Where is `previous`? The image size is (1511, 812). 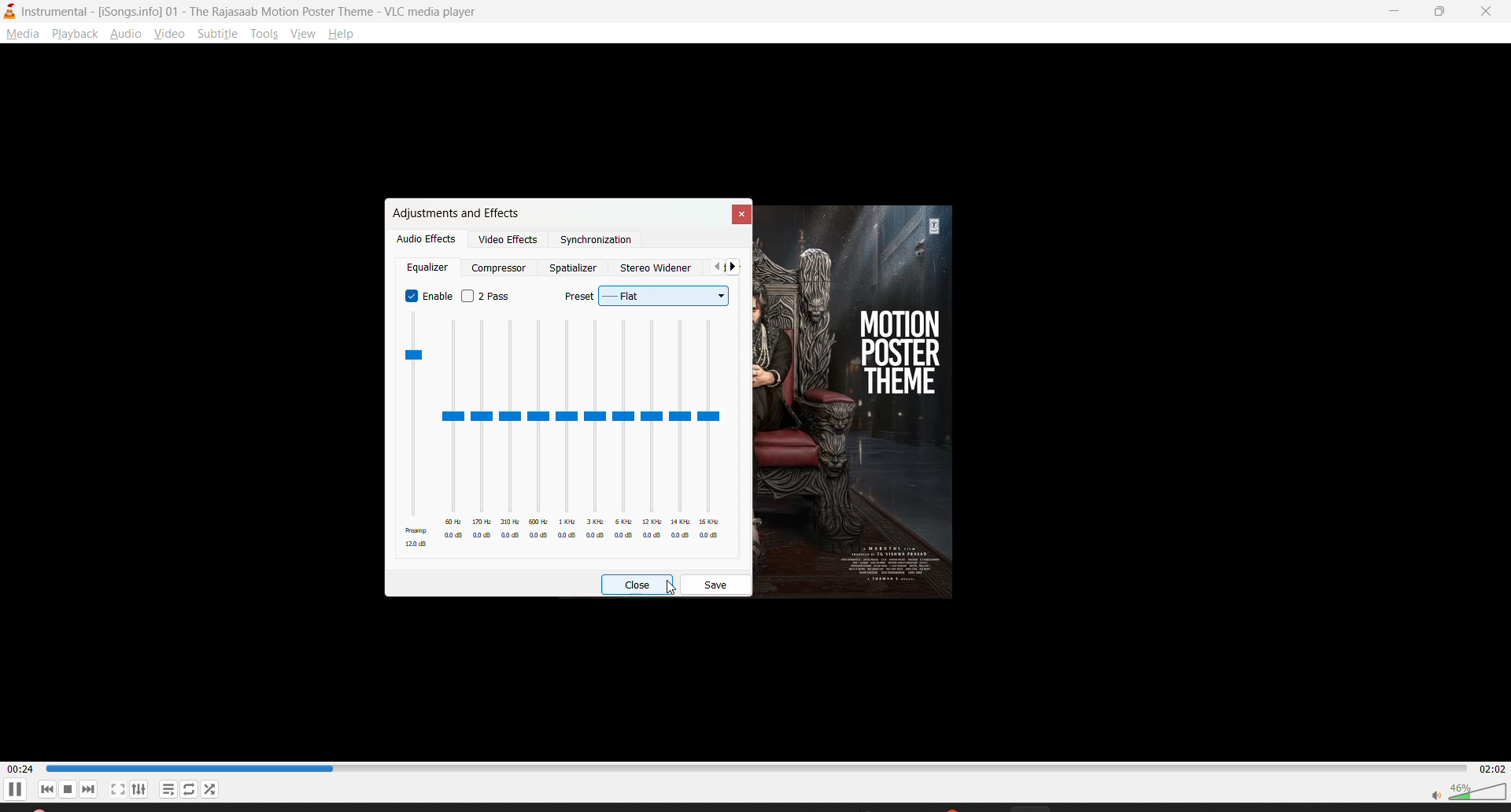
previous is located at coordinates (714, 268).